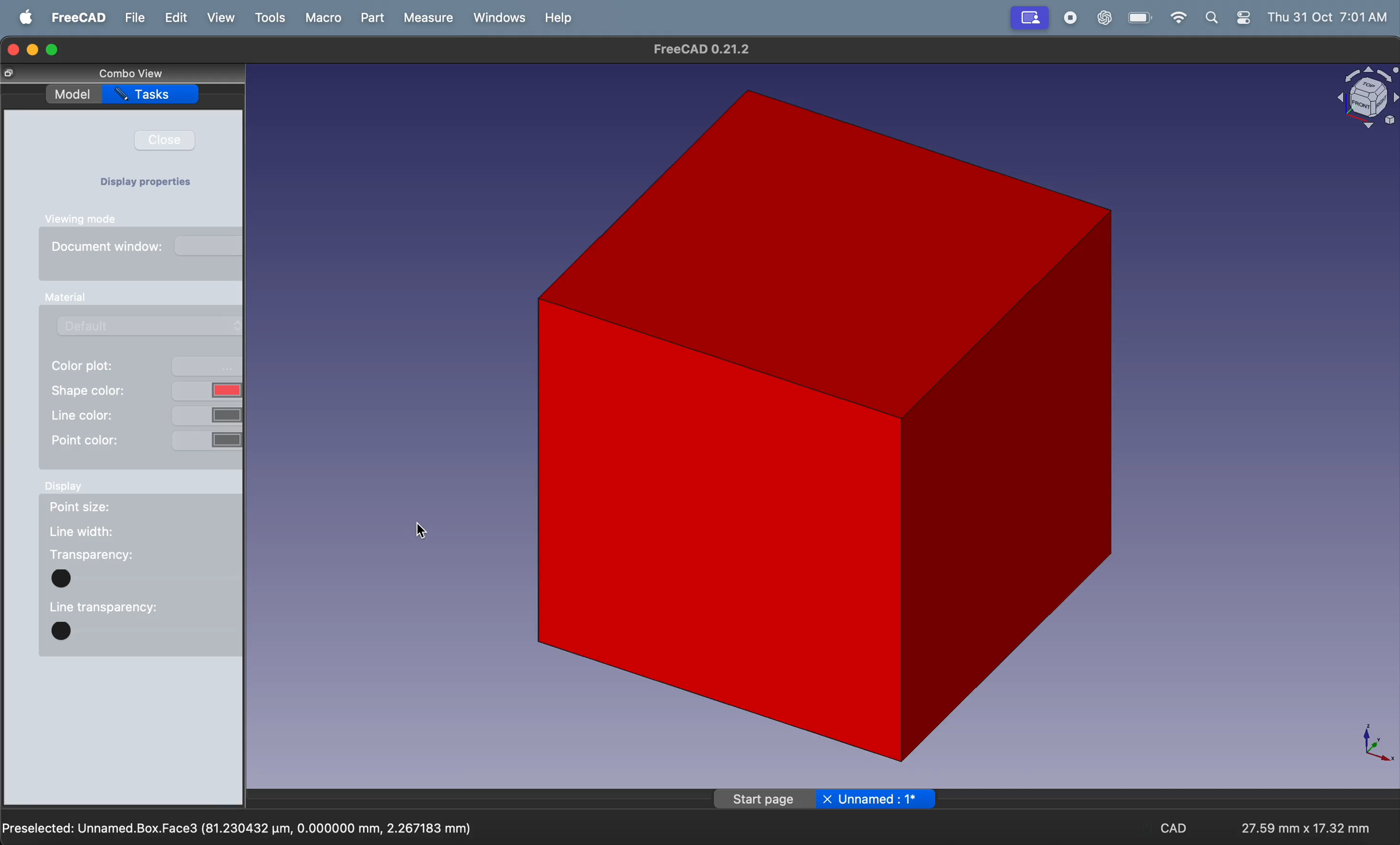  I want to click on chatgpt, so click(1103, 19).